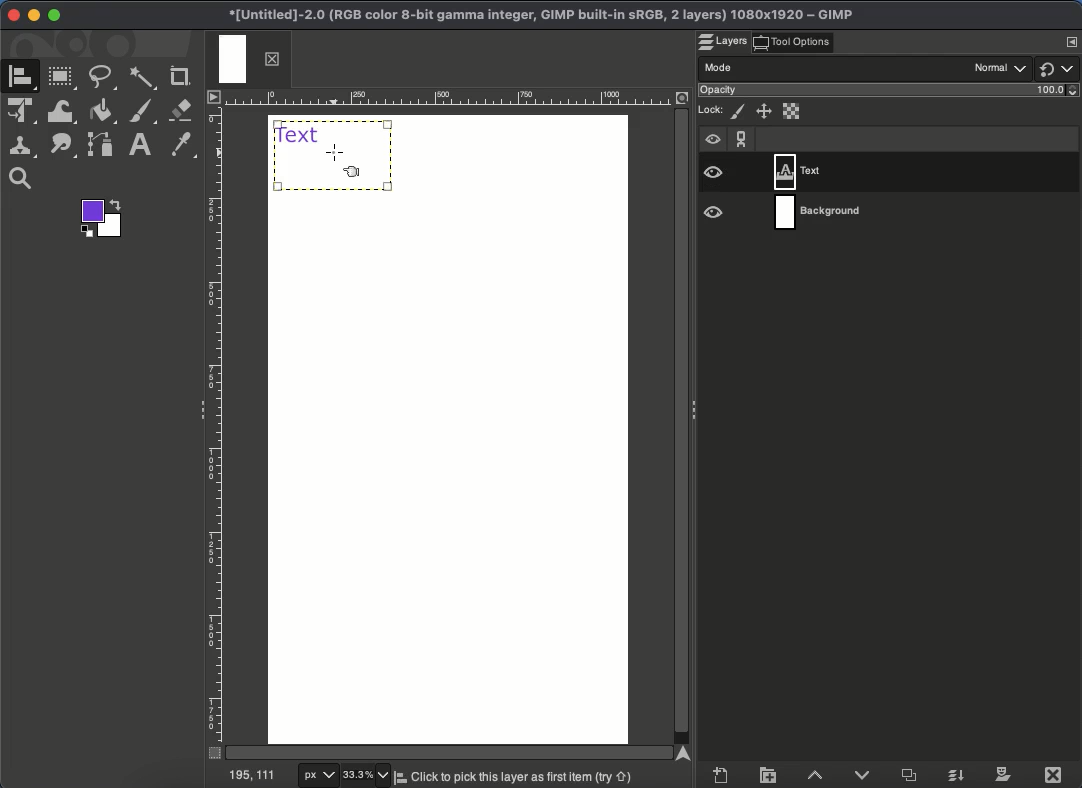  I want to click on px, so click(315, 776).